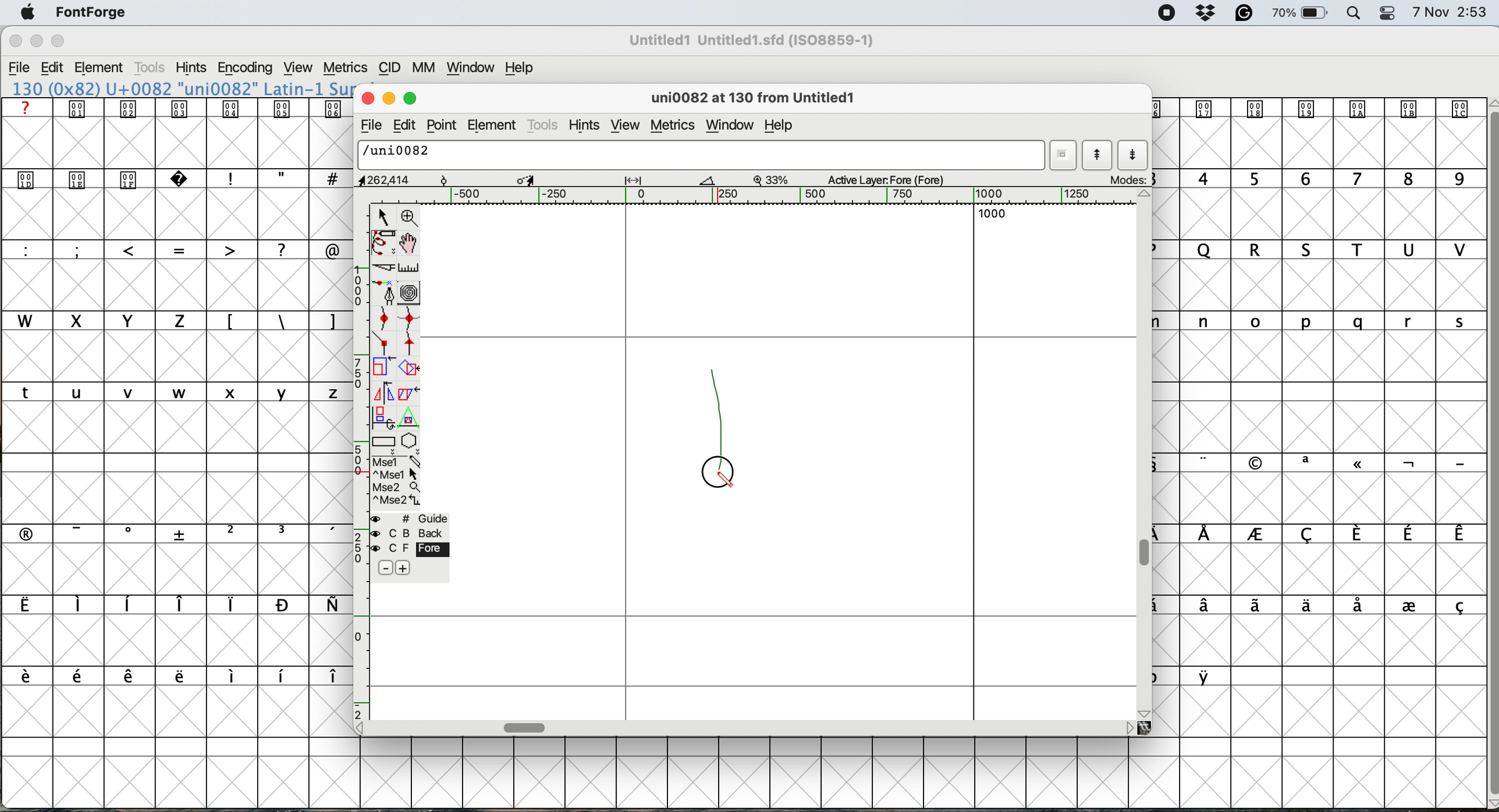 The height and width of the screenshot is (812, 1499). I want to click on vertical scroll bar, so click(1486, 450).